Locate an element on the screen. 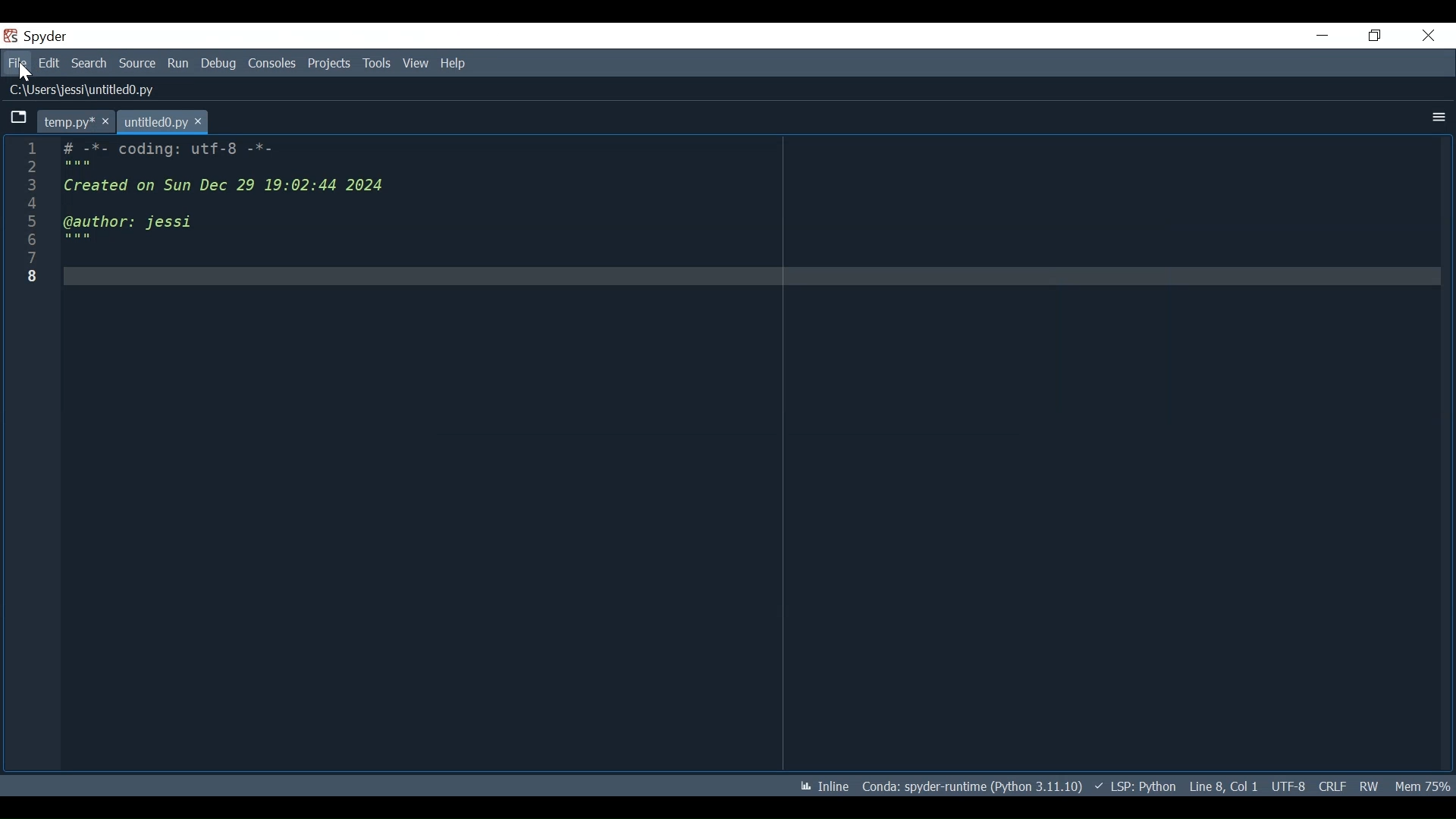 This screenshot has width=1456, height=819. Tools is located at coordinates (377, 63).